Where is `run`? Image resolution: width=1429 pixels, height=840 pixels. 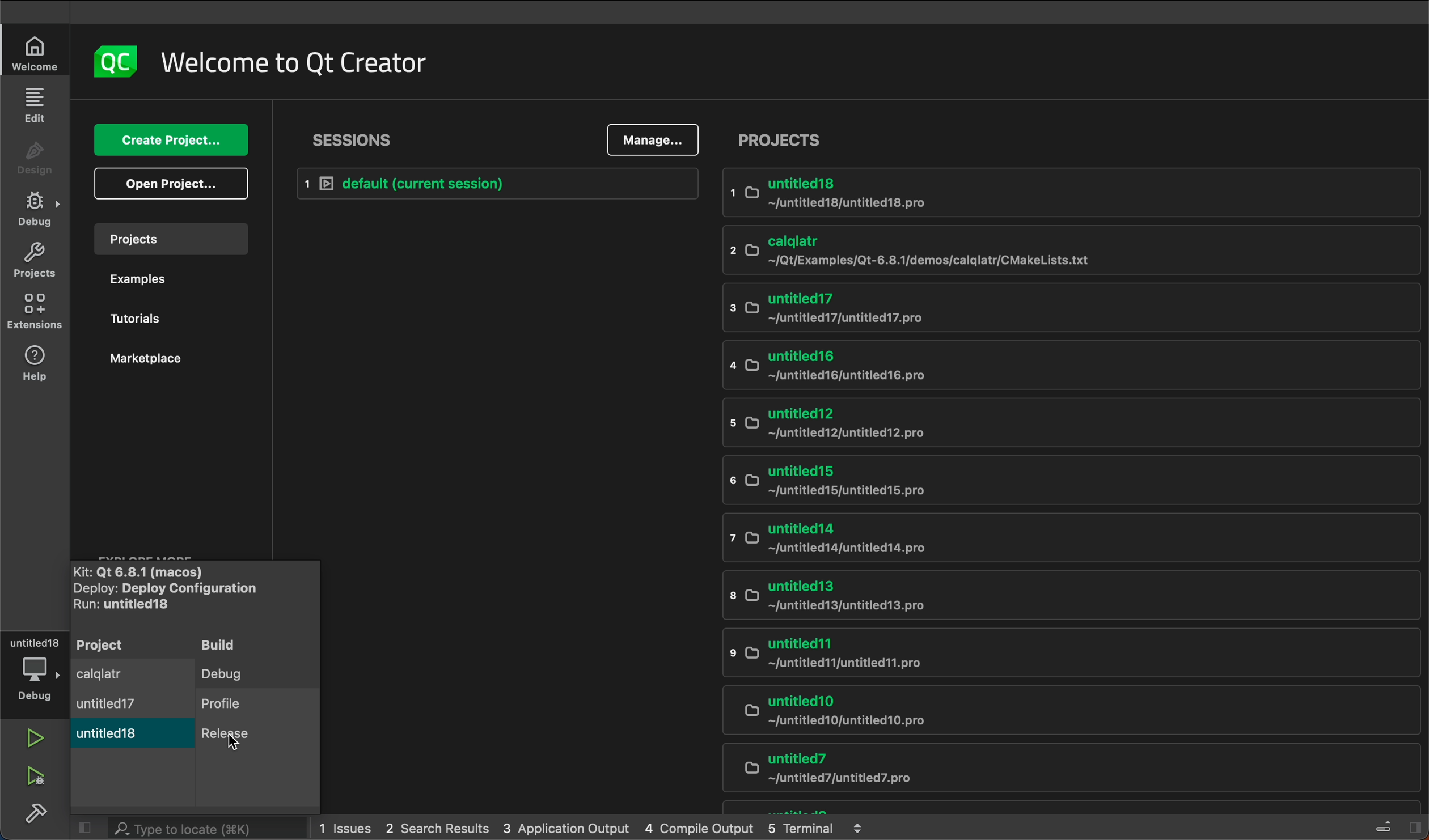 run is located at coordinates (32, 737).